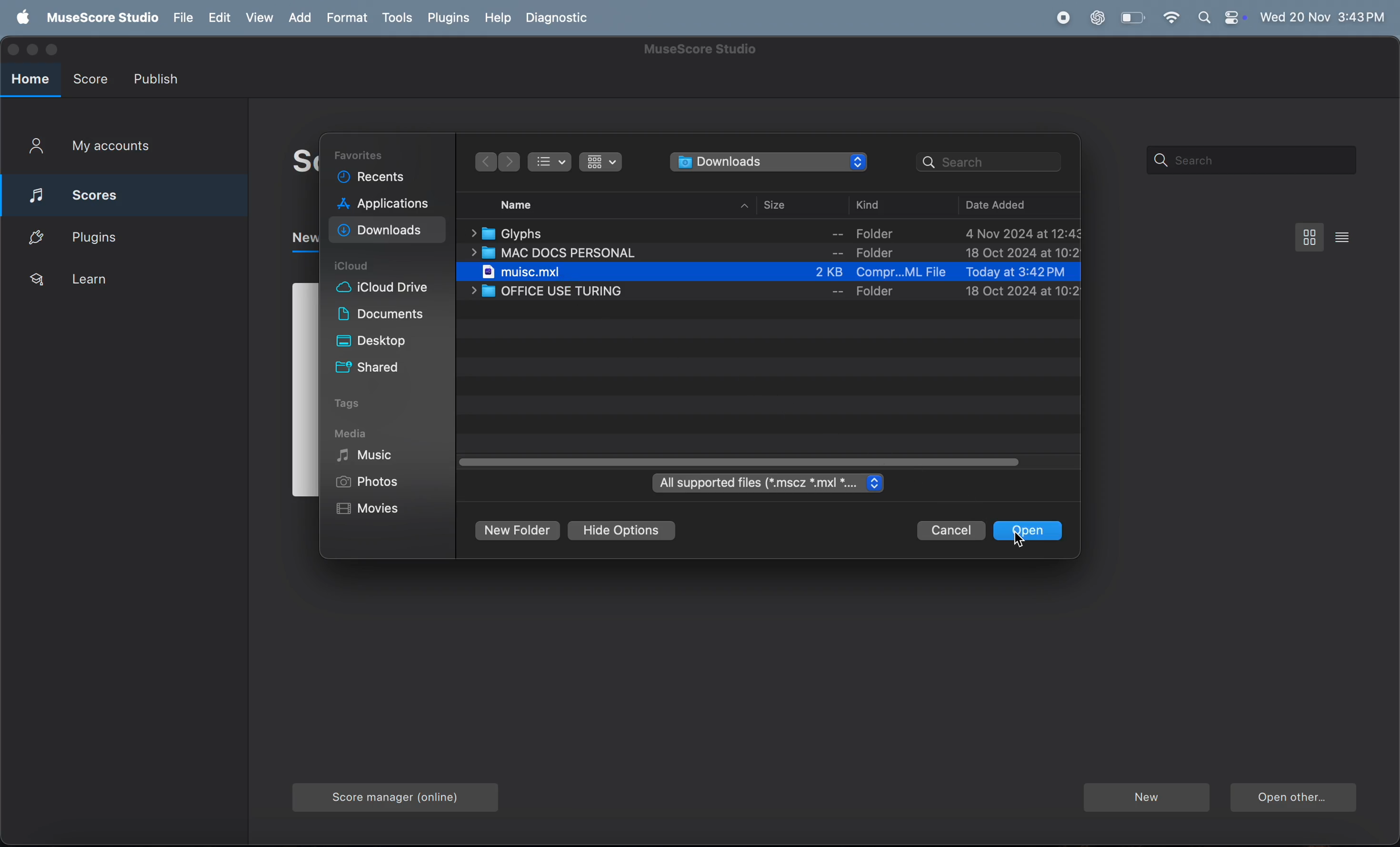 This screenshot has width=1400, height=847. What do you see at coordinates (31, 49) in the screenshot?
I see `minimize` at bounding box center [31, 49].